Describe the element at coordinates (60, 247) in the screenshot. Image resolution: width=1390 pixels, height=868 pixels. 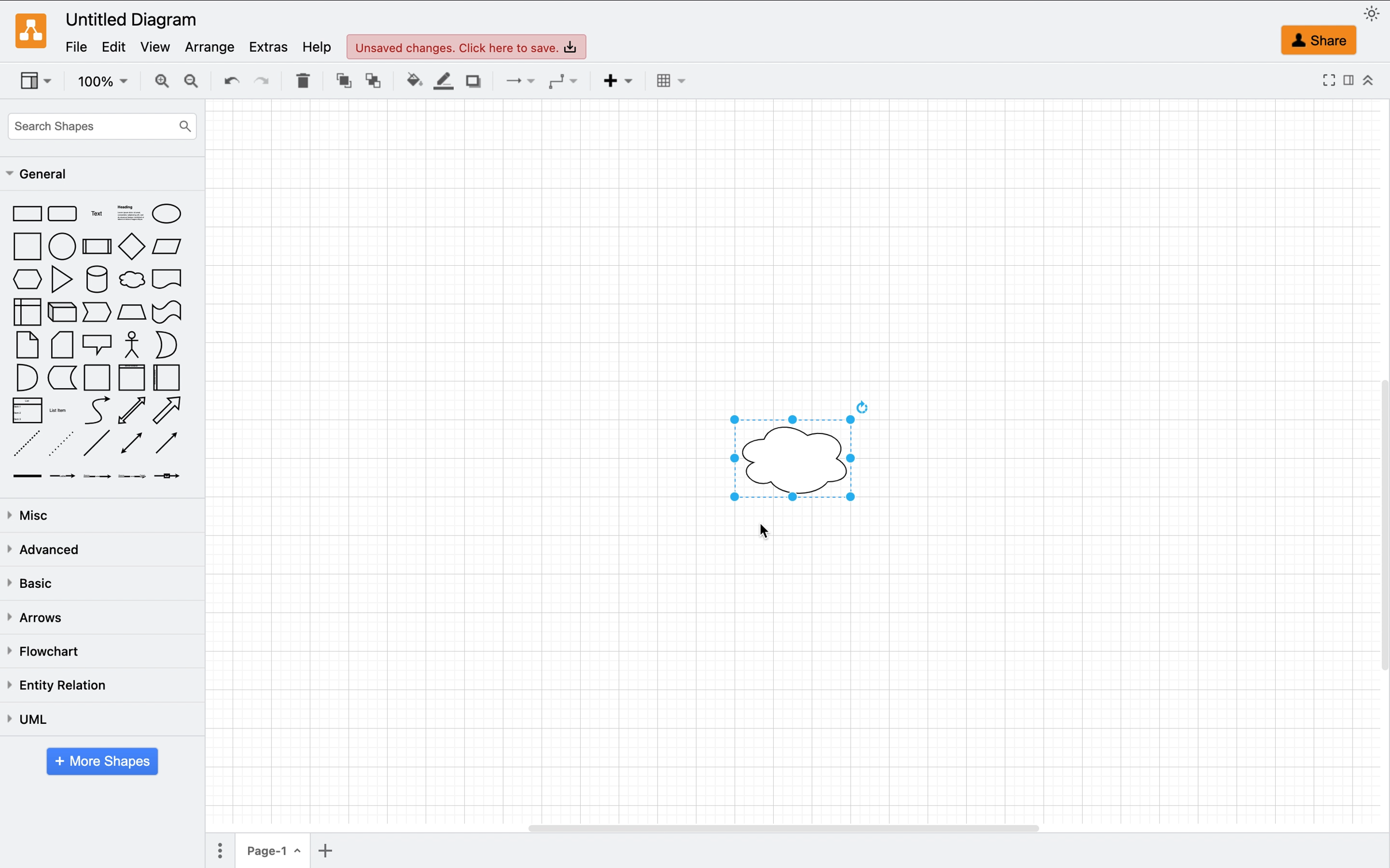
I see `circle` at that location.